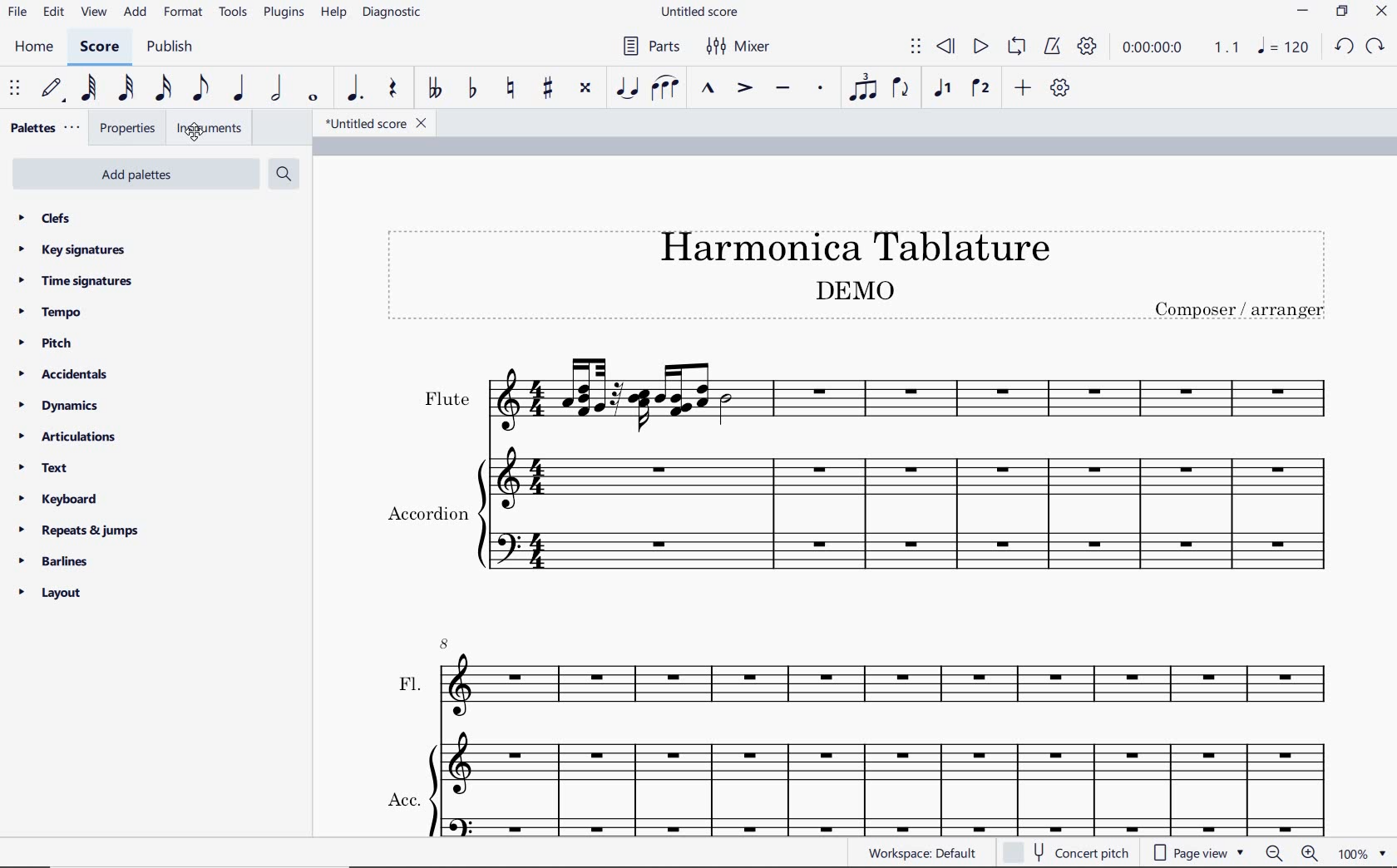  Describe the element at coordinates (668, 89) in the screenshot. I see `slur` at that location.